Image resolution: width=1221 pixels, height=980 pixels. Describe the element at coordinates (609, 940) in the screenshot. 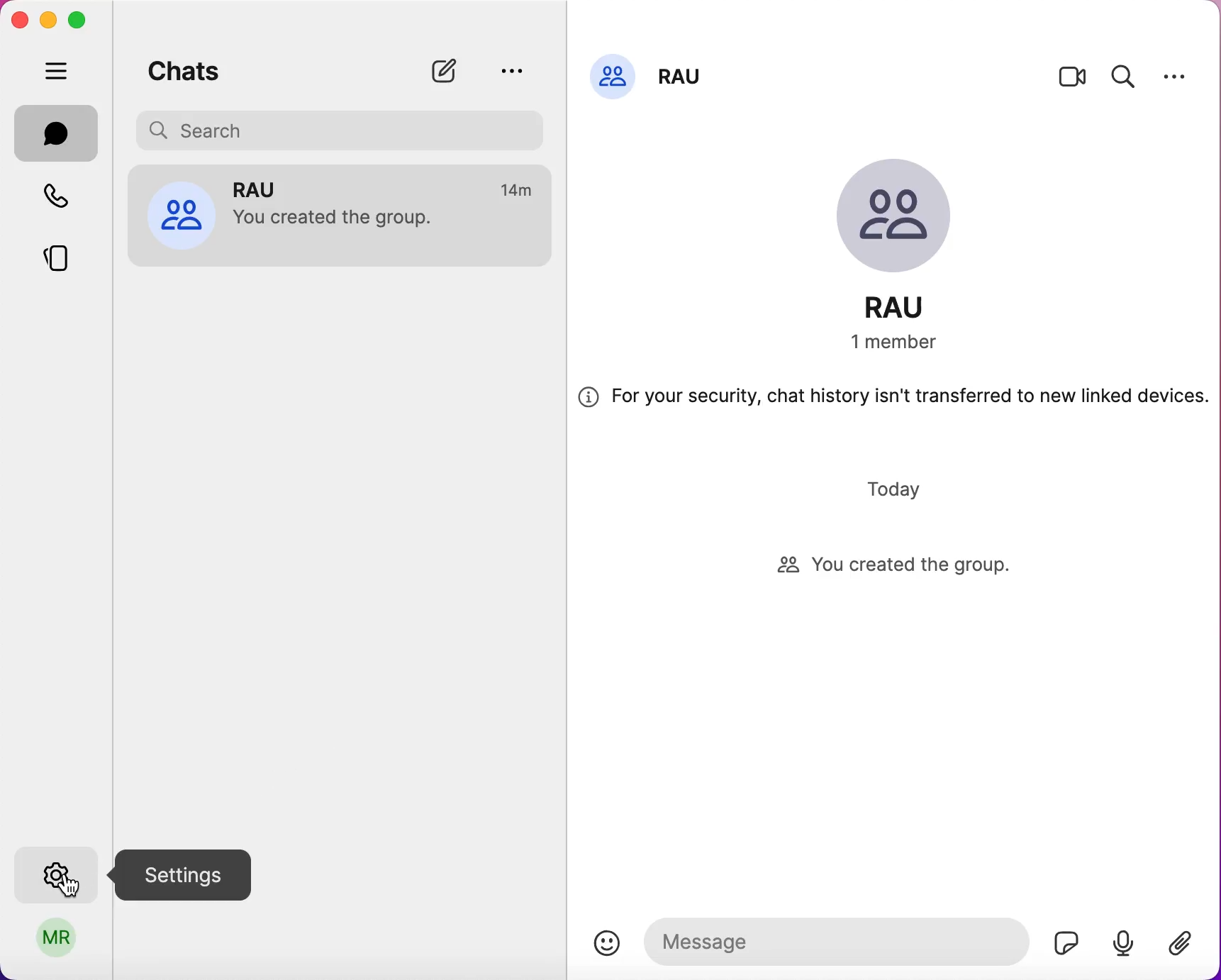

I see `emoji` at that location.